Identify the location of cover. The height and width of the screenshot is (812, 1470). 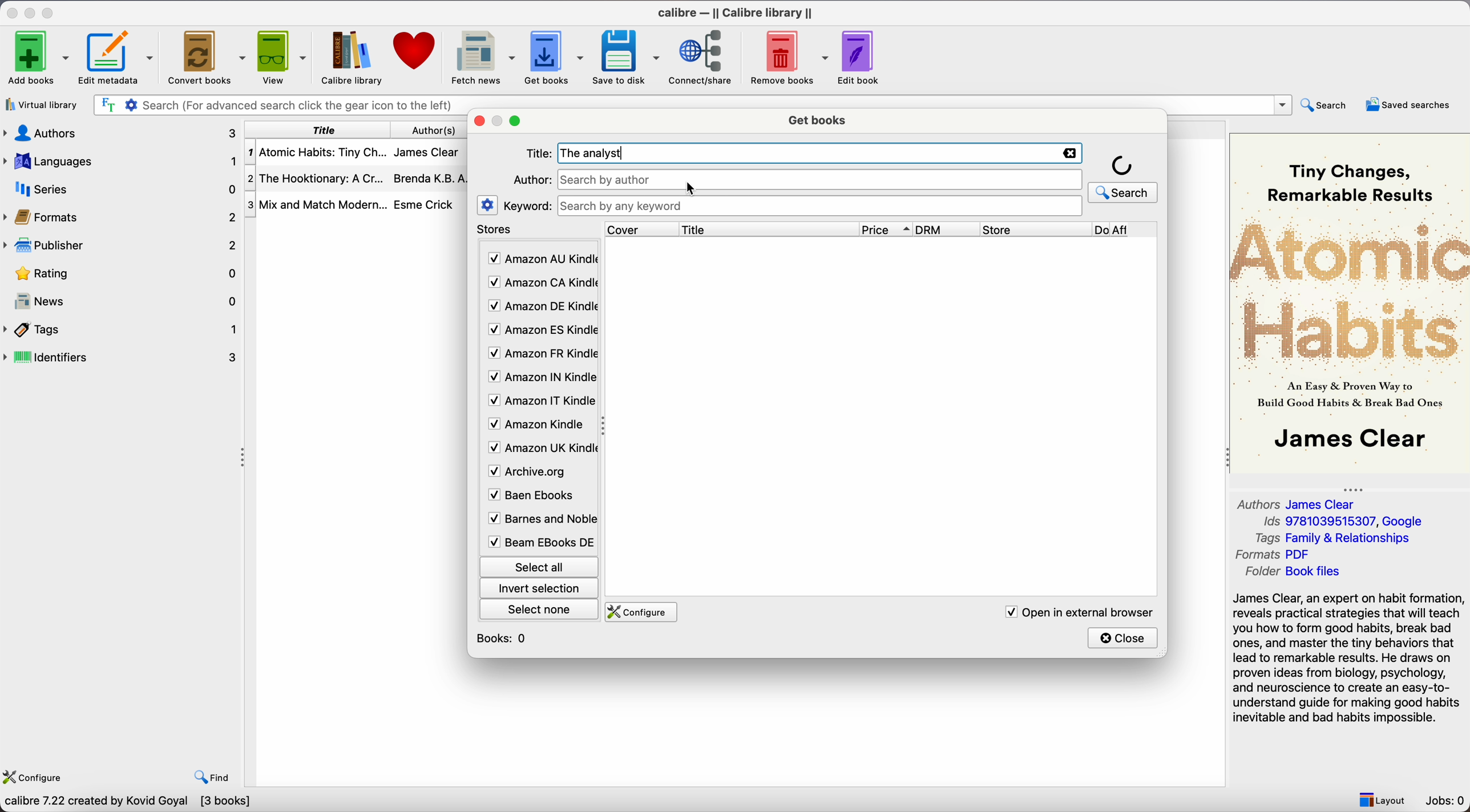
(637, 229).